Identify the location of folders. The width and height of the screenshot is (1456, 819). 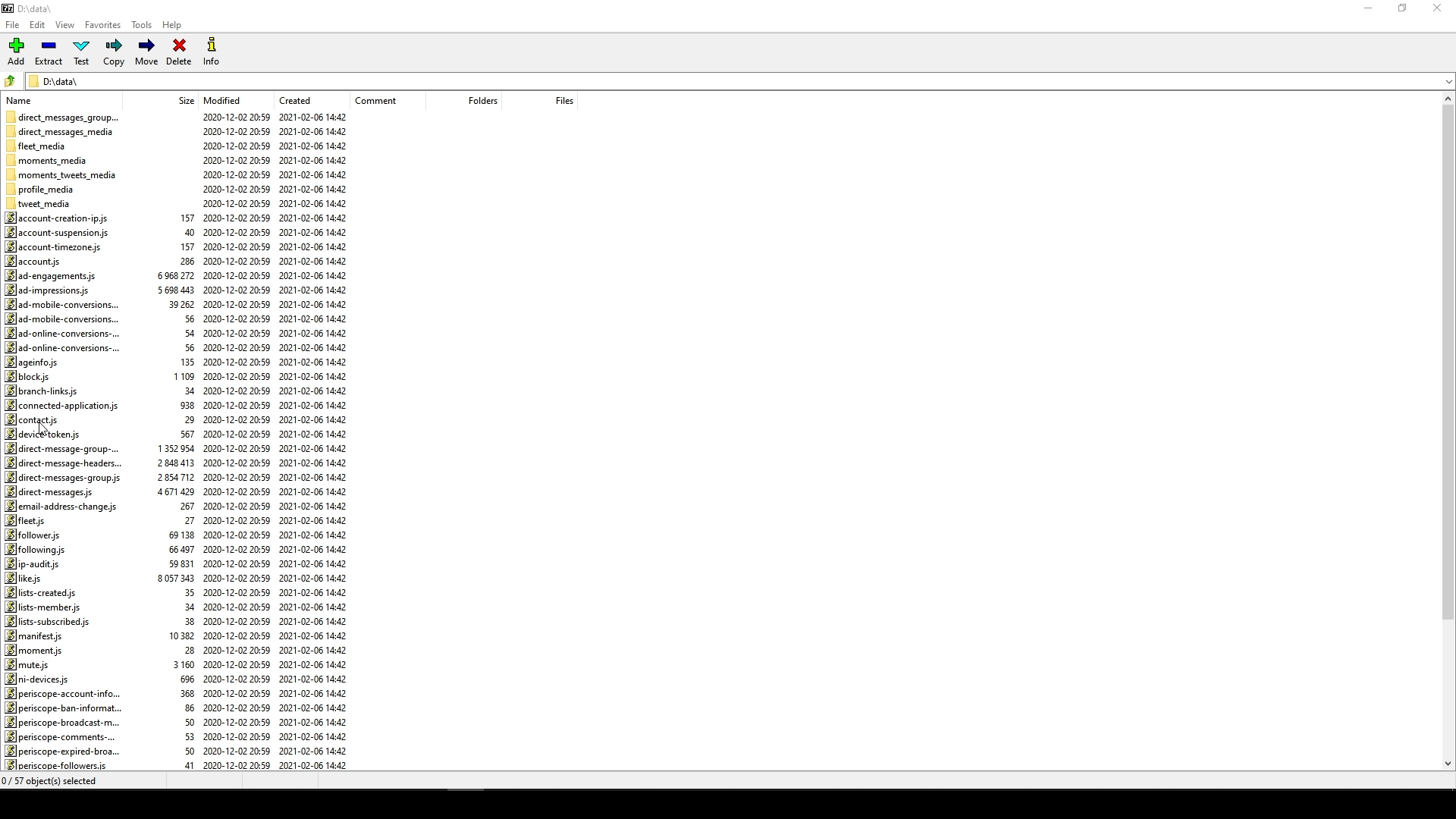
(472, 102).